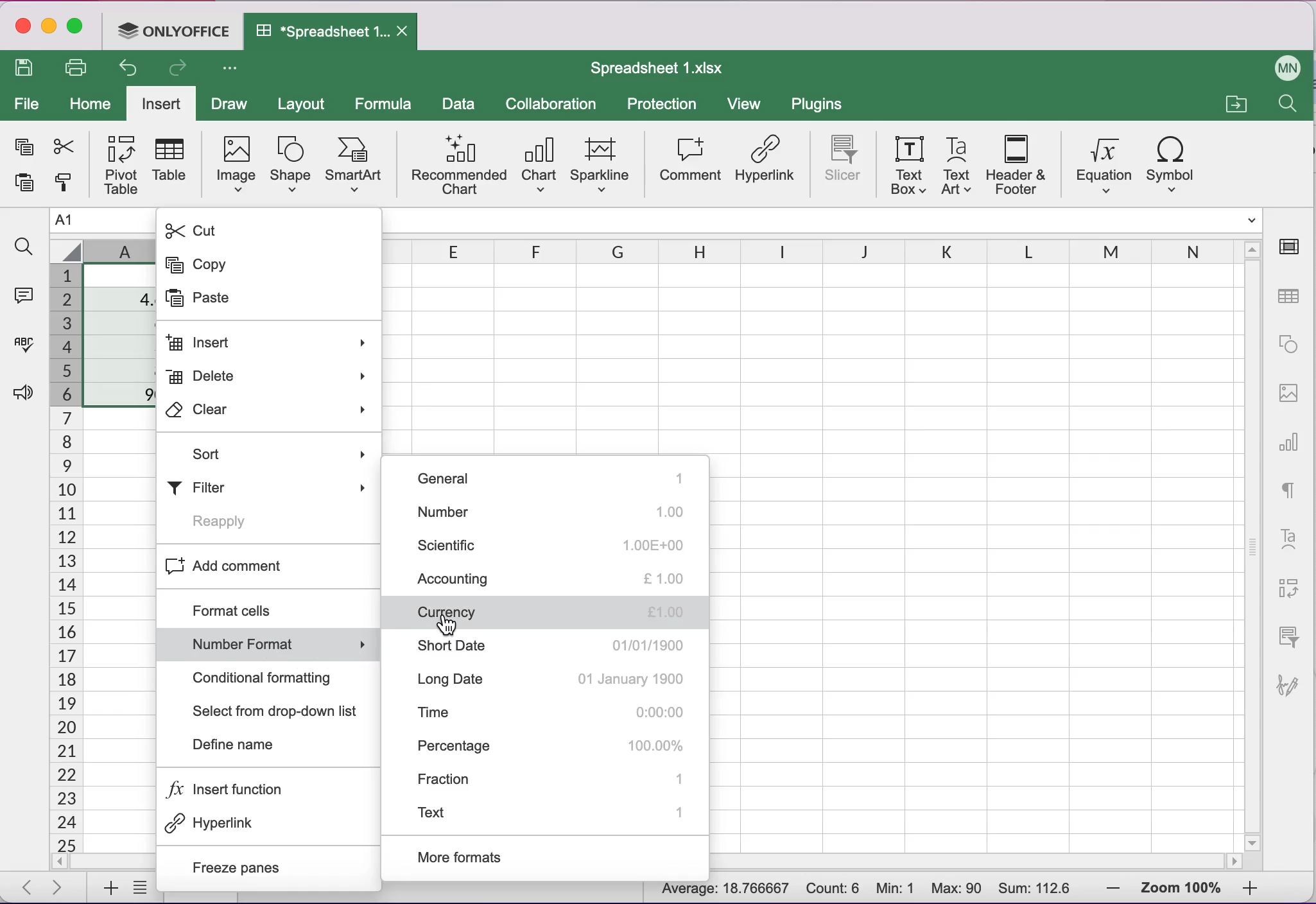  What do you see at coordinates (1105, 887) in the screenshot?
I see `zoom out` at bounding box center [1105, 887].